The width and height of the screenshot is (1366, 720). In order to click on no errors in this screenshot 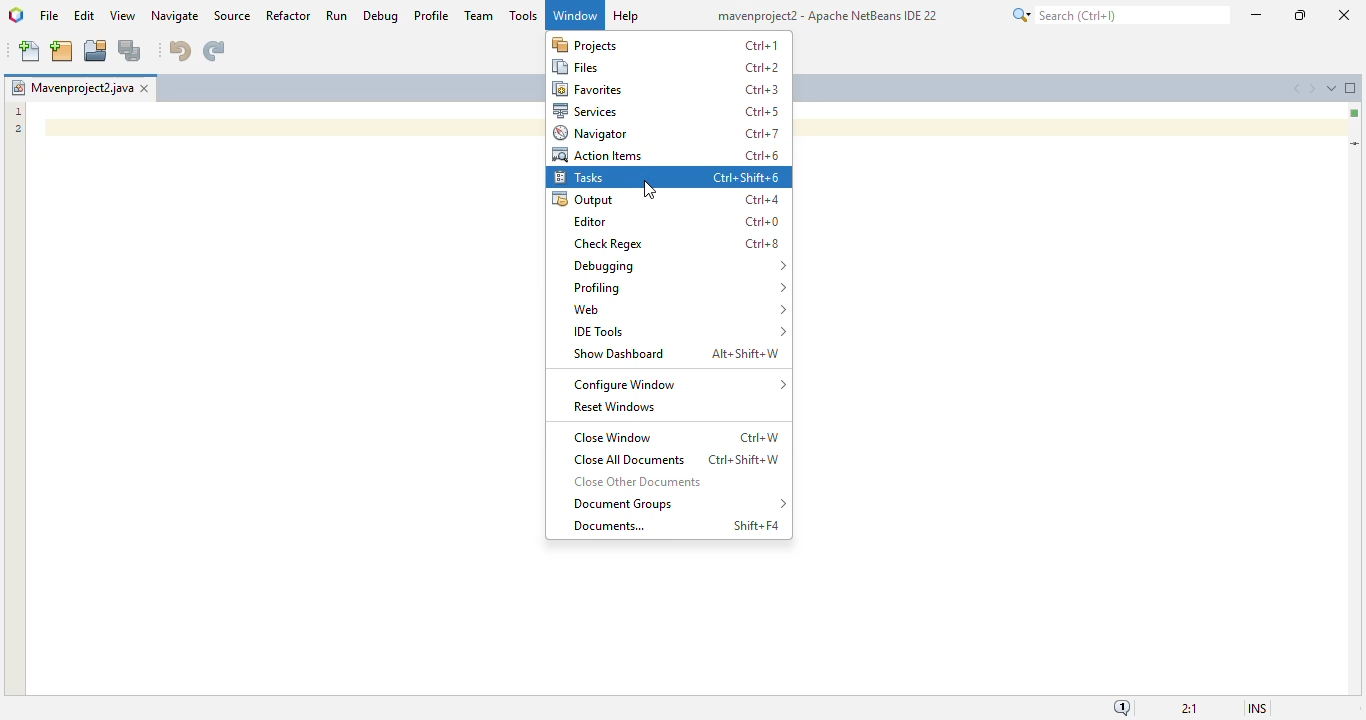, I will do `click(1354, 113)`.